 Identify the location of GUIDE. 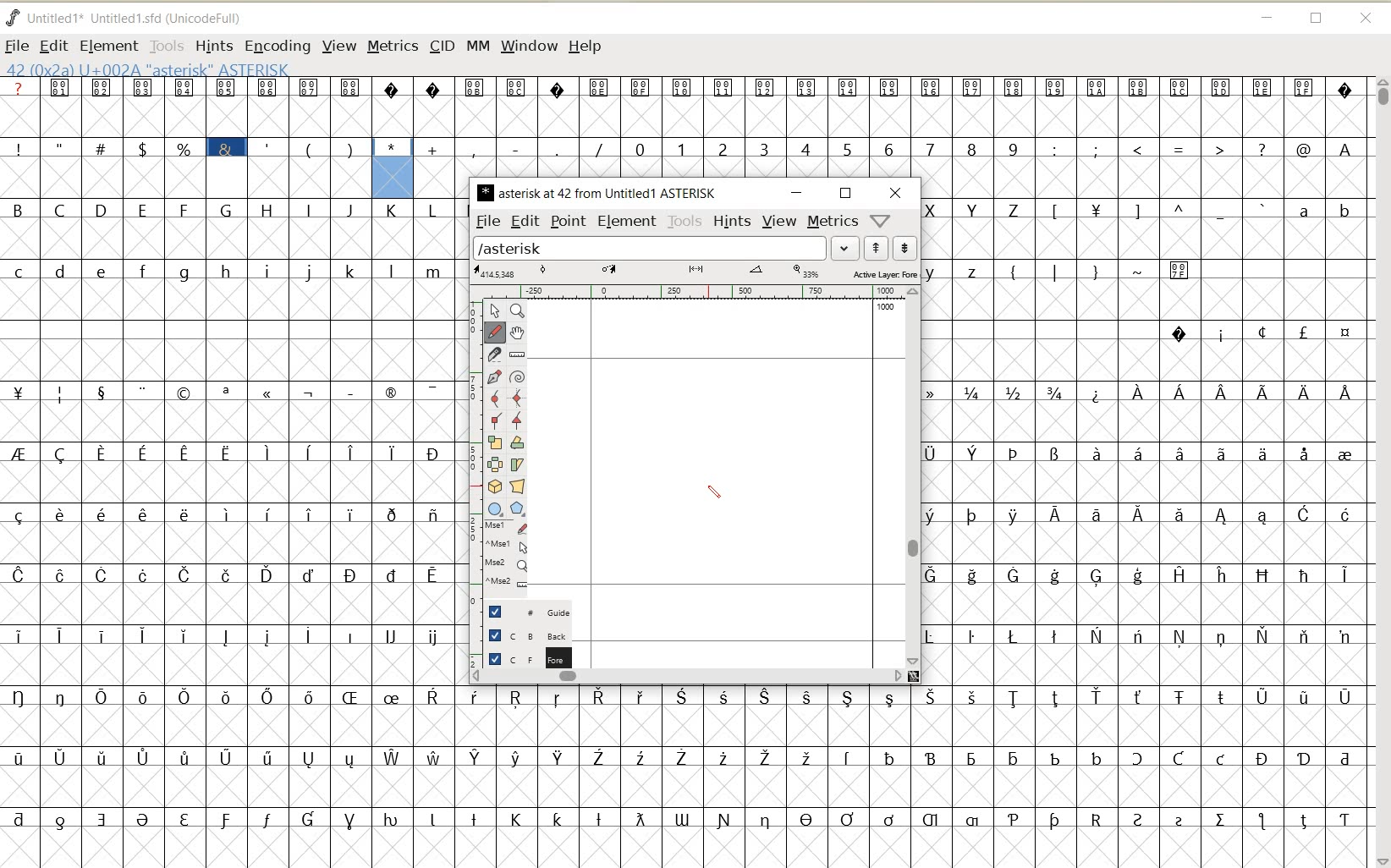
(523, 609).